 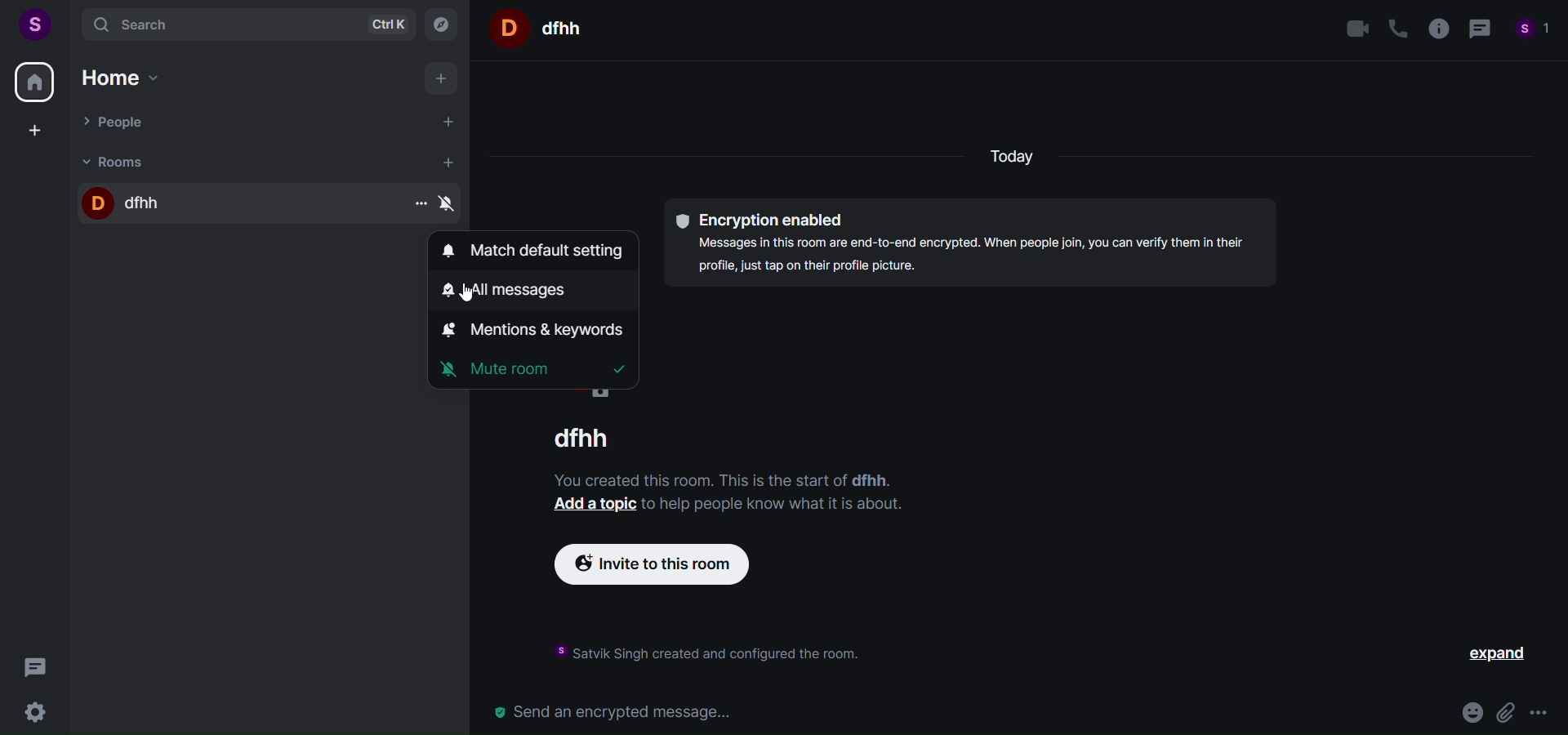 I want to click on user, so click(x=36, y=24).